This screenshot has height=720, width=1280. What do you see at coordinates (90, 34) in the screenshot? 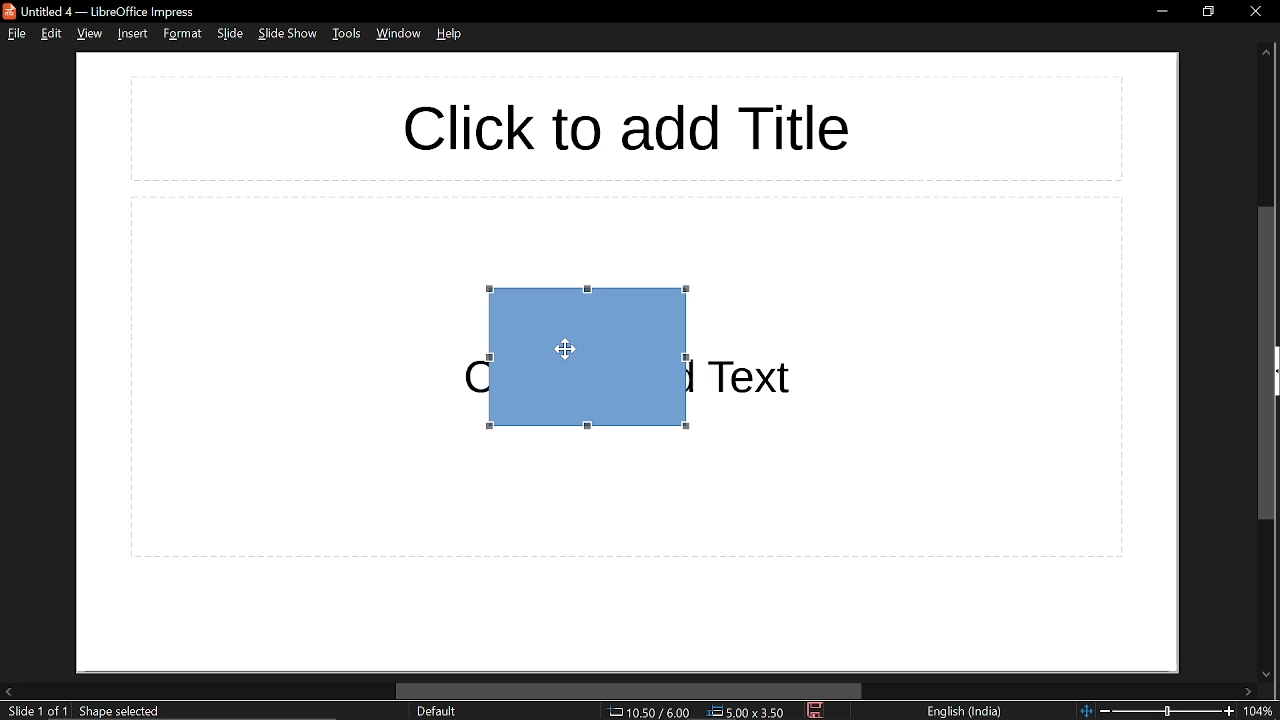
I see `view` at bounding box center [90, 34].